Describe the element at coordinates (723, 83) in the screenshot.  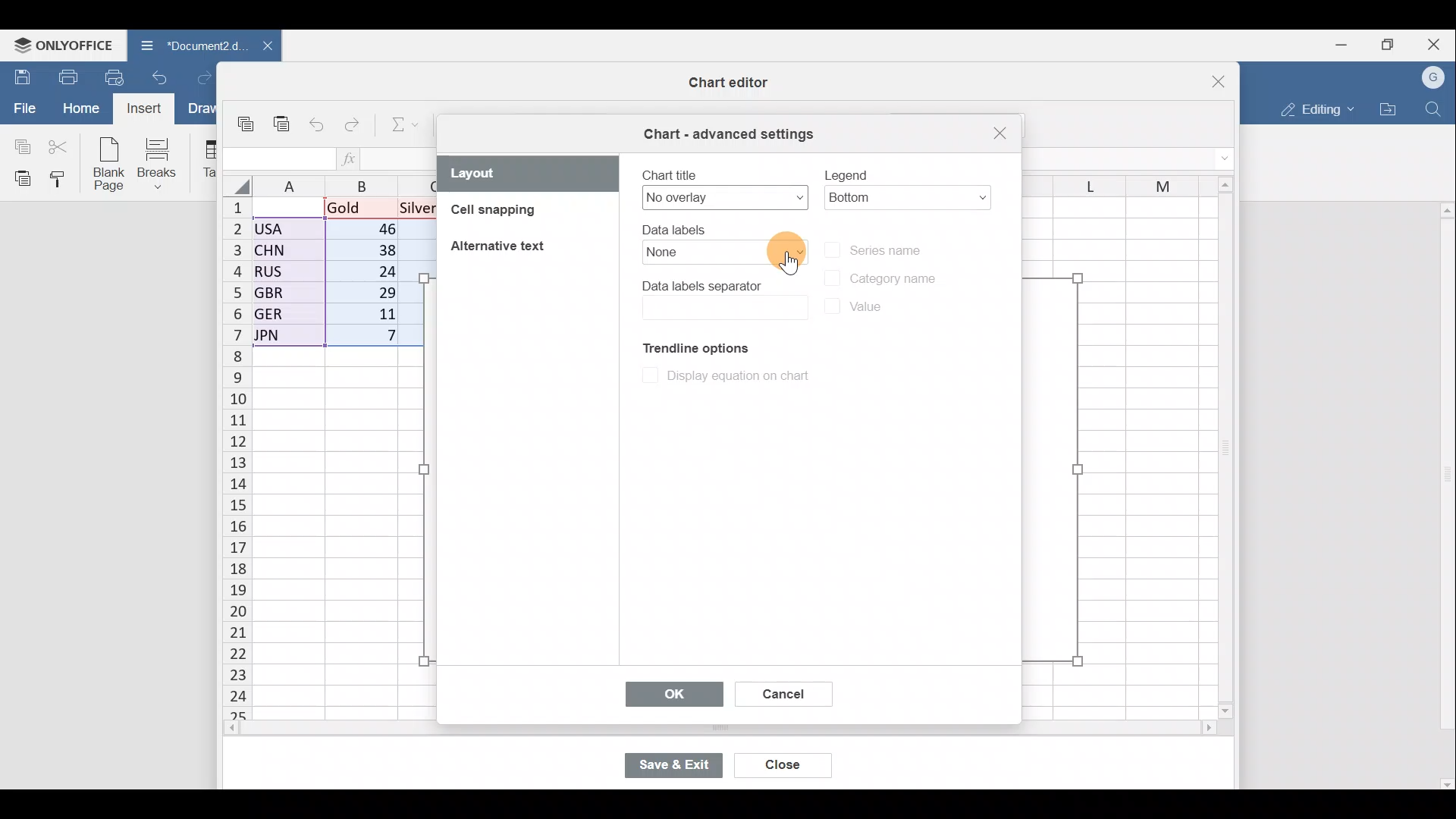
I see `Chart editor` at that location.